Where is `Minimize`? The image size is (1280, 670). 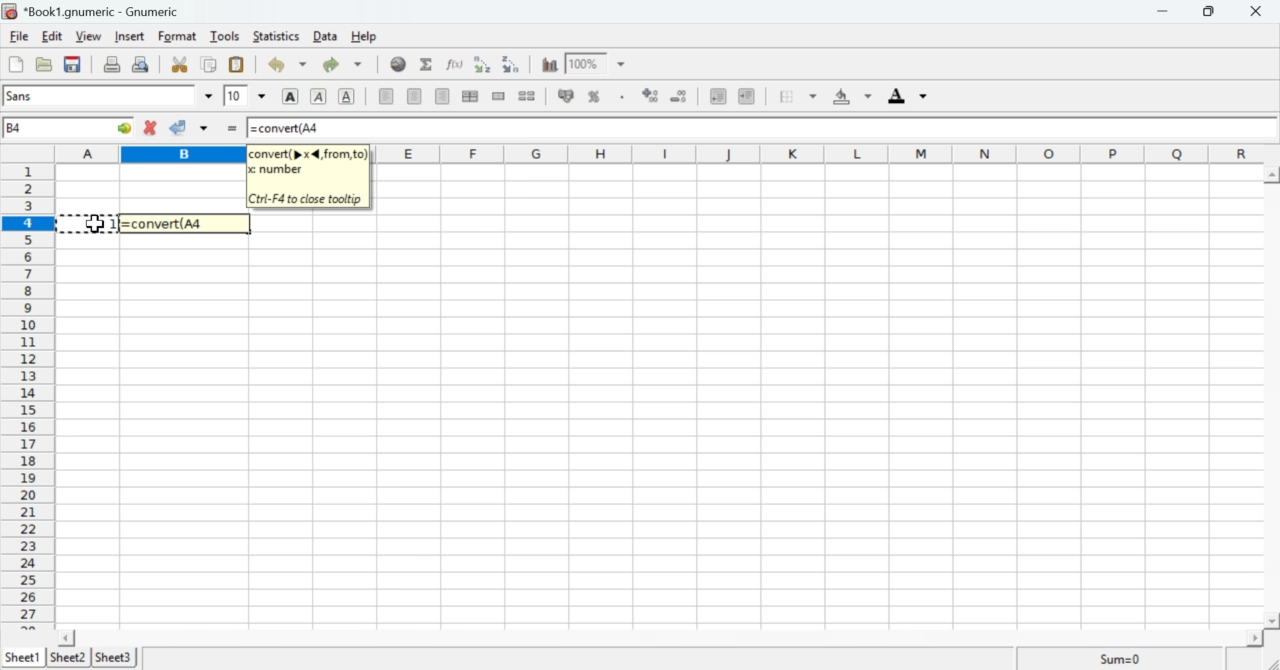
Minimize is located at coordinates (1164, 11).